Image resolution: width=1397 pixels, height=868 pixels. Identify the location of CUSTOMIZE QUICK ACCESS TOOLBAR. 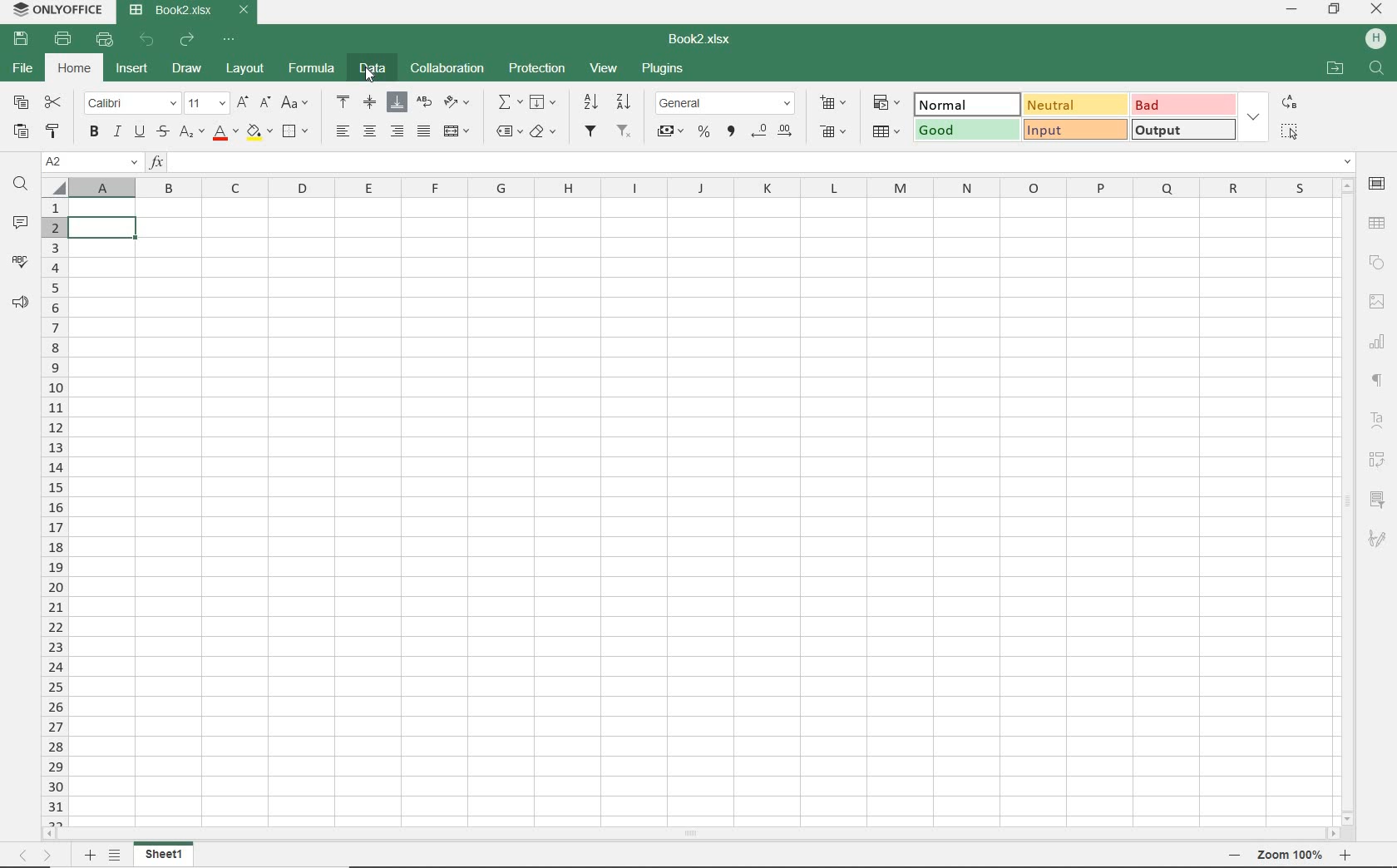
(230, 41).